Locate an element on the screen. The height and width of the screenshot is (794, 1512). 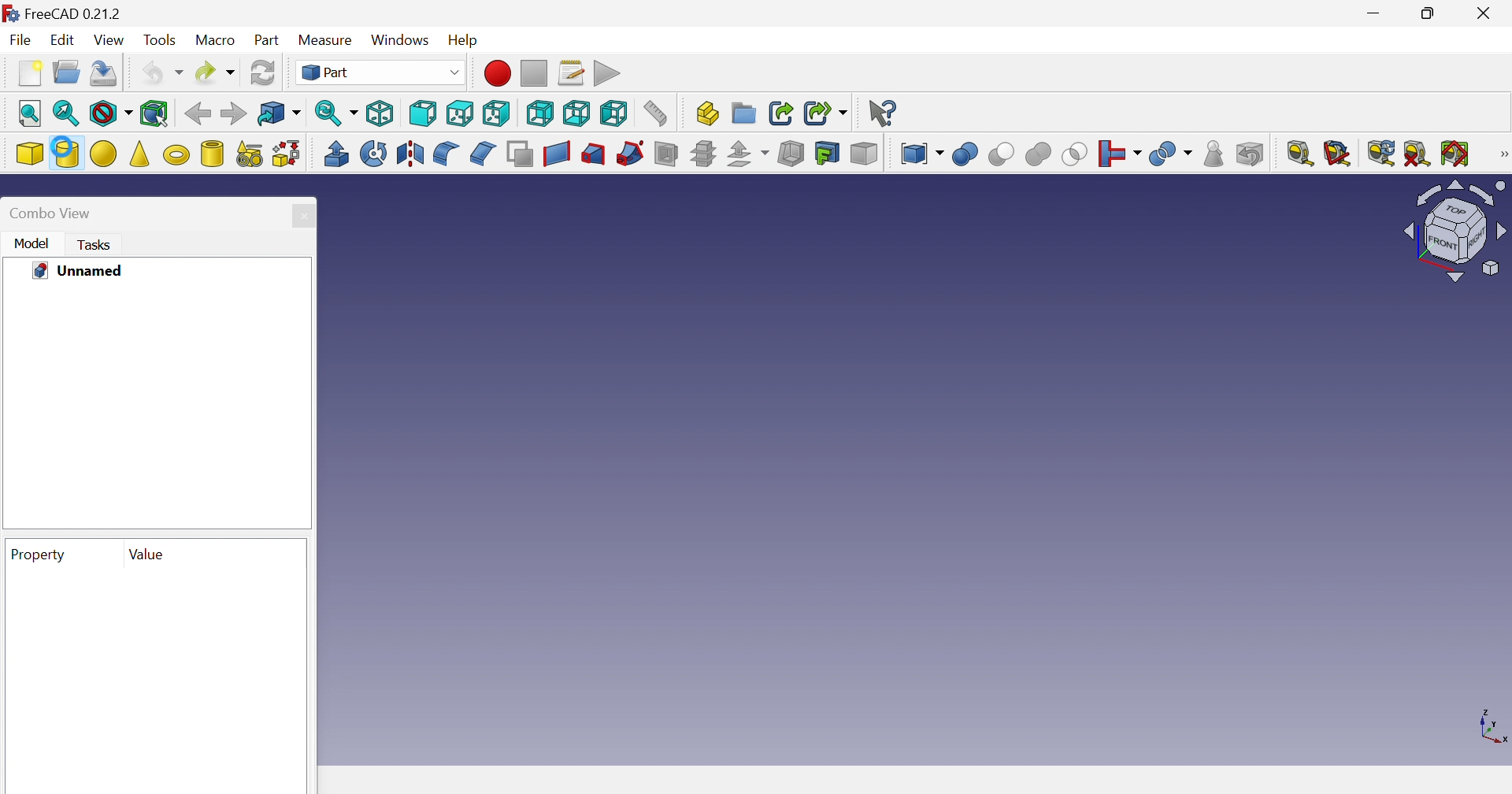
Measure liner is located at coordinates (1301, 154).